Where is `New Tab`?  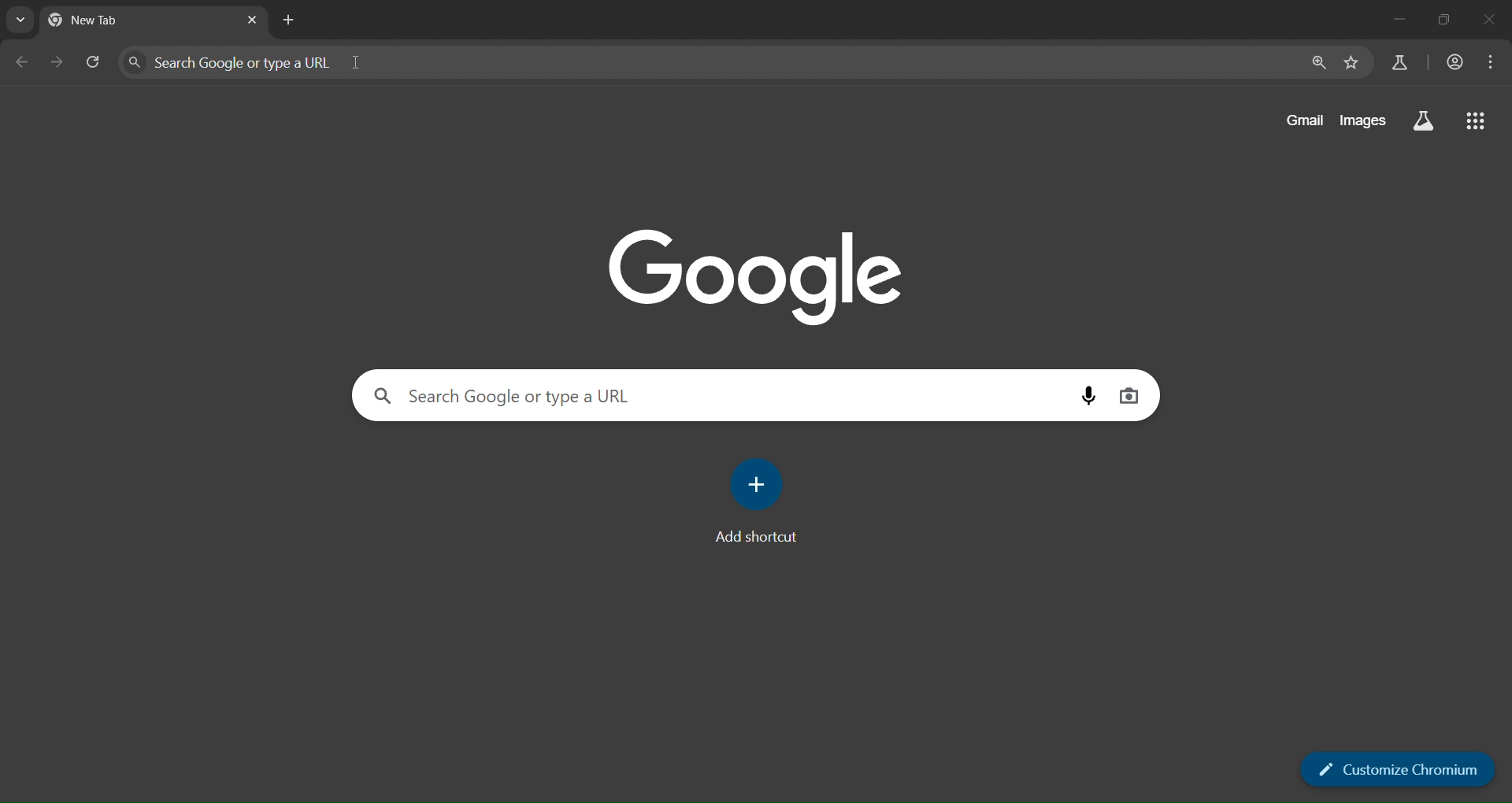 New Tab is located at coordinates (119, 22).